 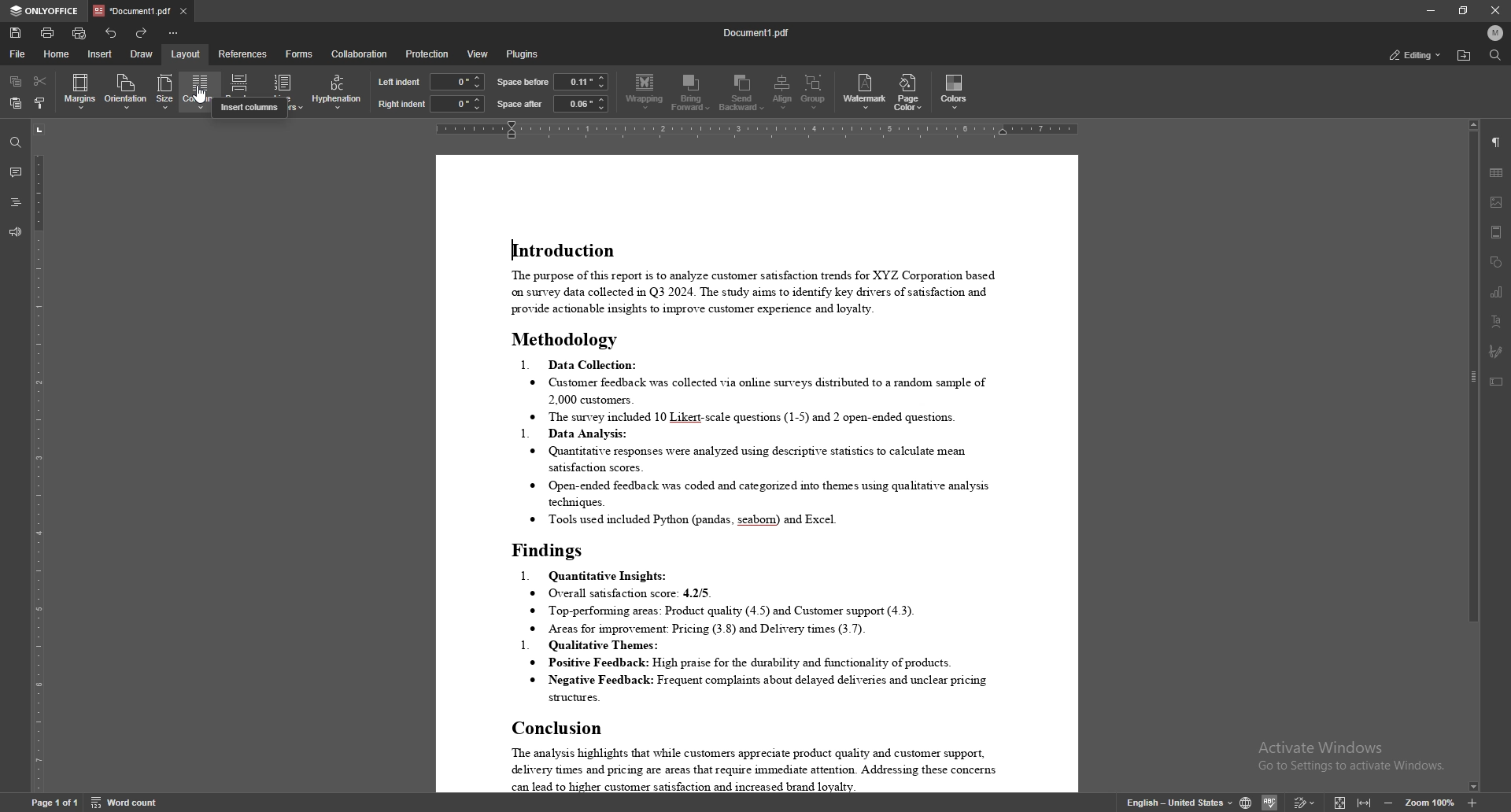 I want to click on spell check, so click(x=1272, y=802).